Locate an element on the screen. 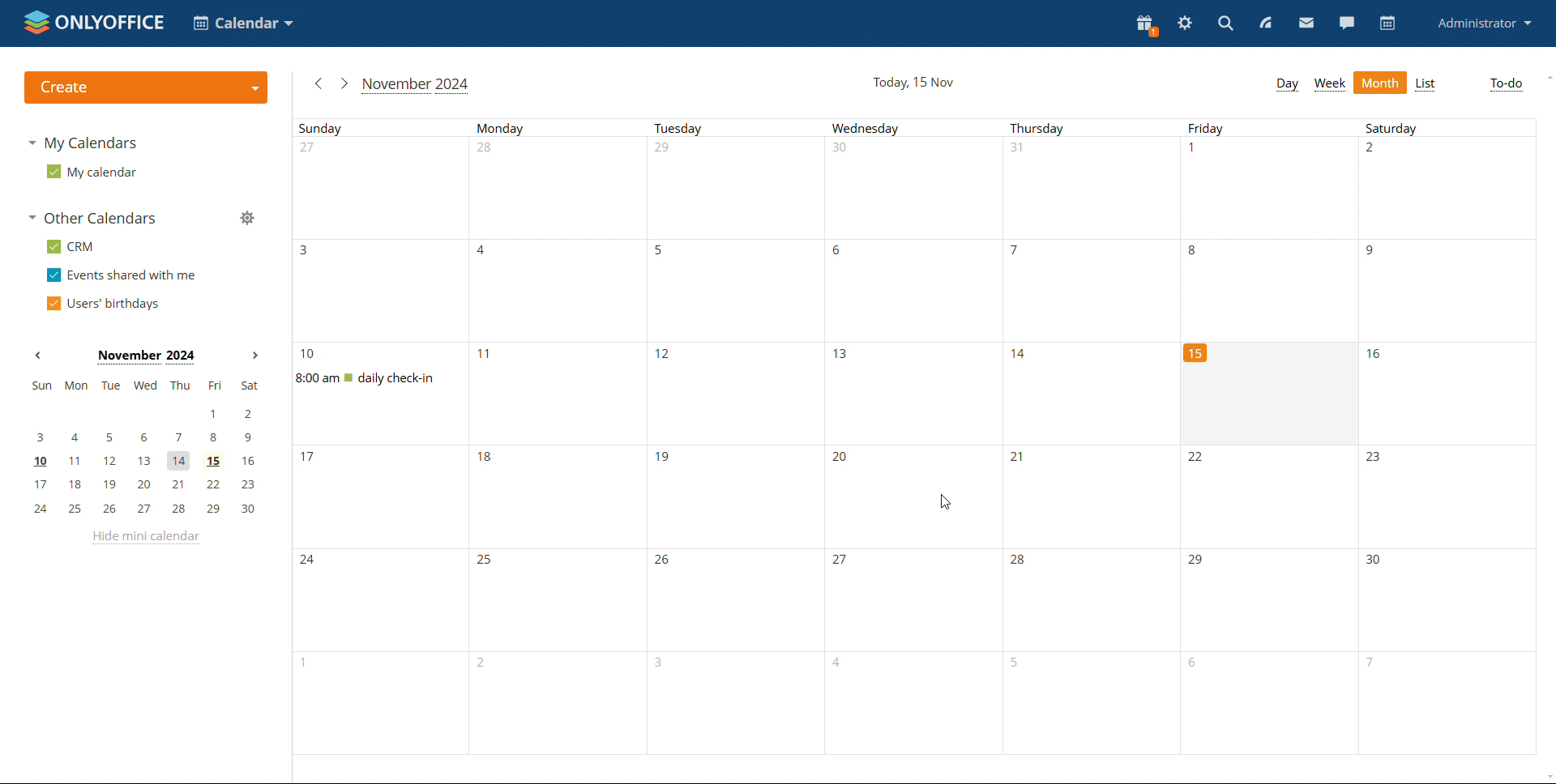 The height and width of the screenshot is (784, 1556). sun, mon, tue, wed, thu, fri, sat is located at coordinates (145, 387).